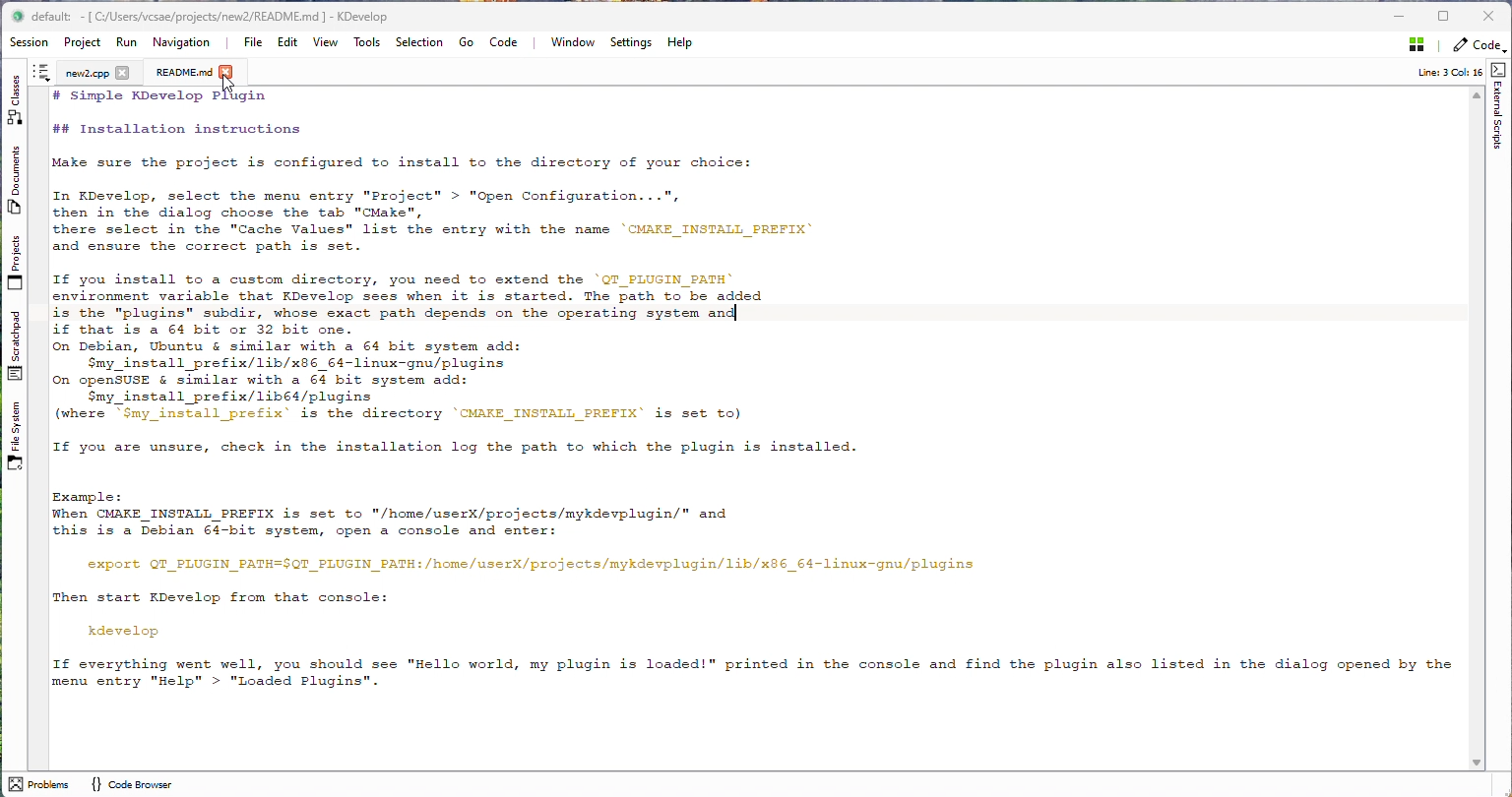  I want to click on New2.cpp, so click(83, 74).